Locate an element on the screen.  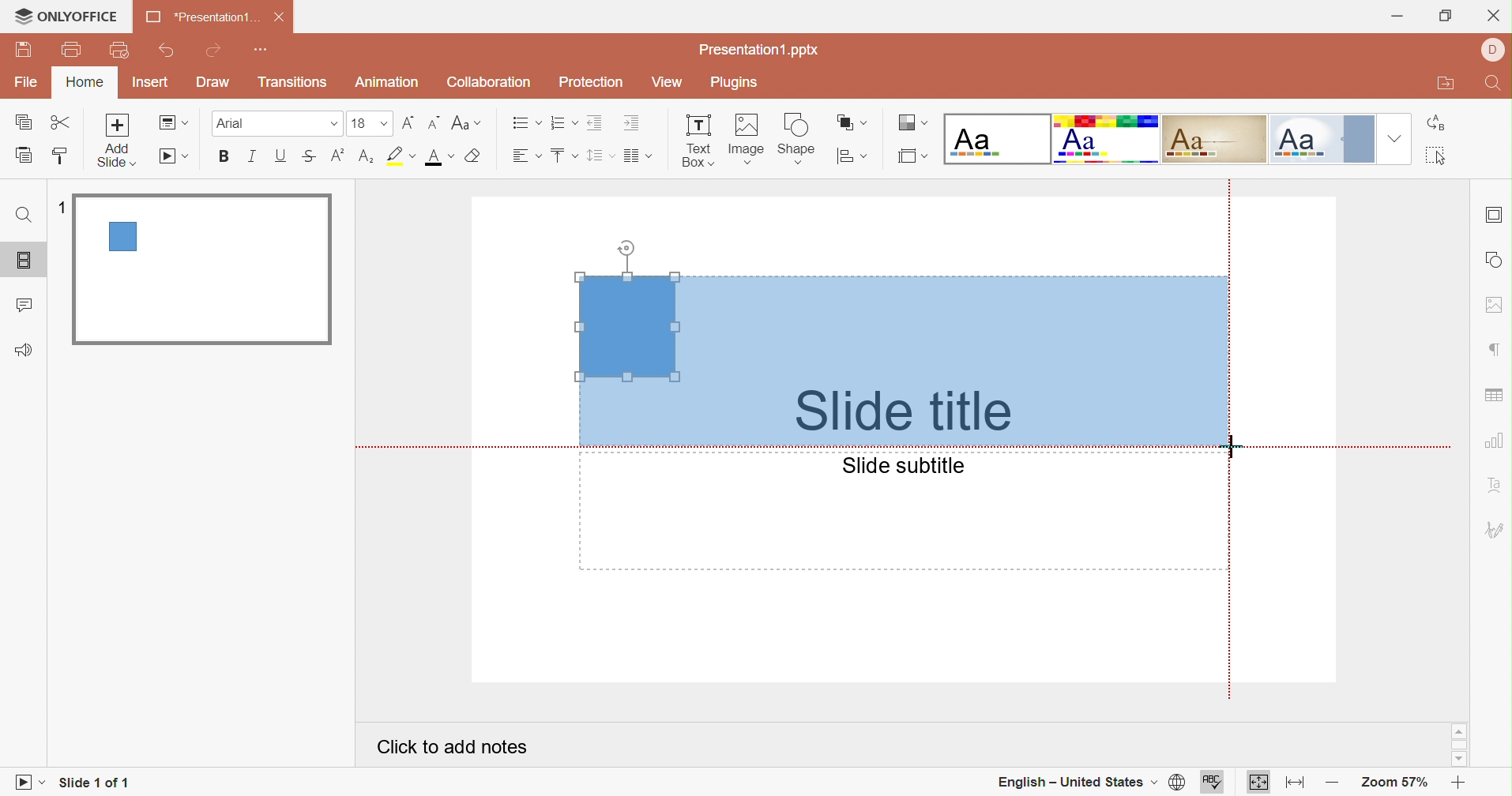
Change slide size is located at coordinates (912, 156).